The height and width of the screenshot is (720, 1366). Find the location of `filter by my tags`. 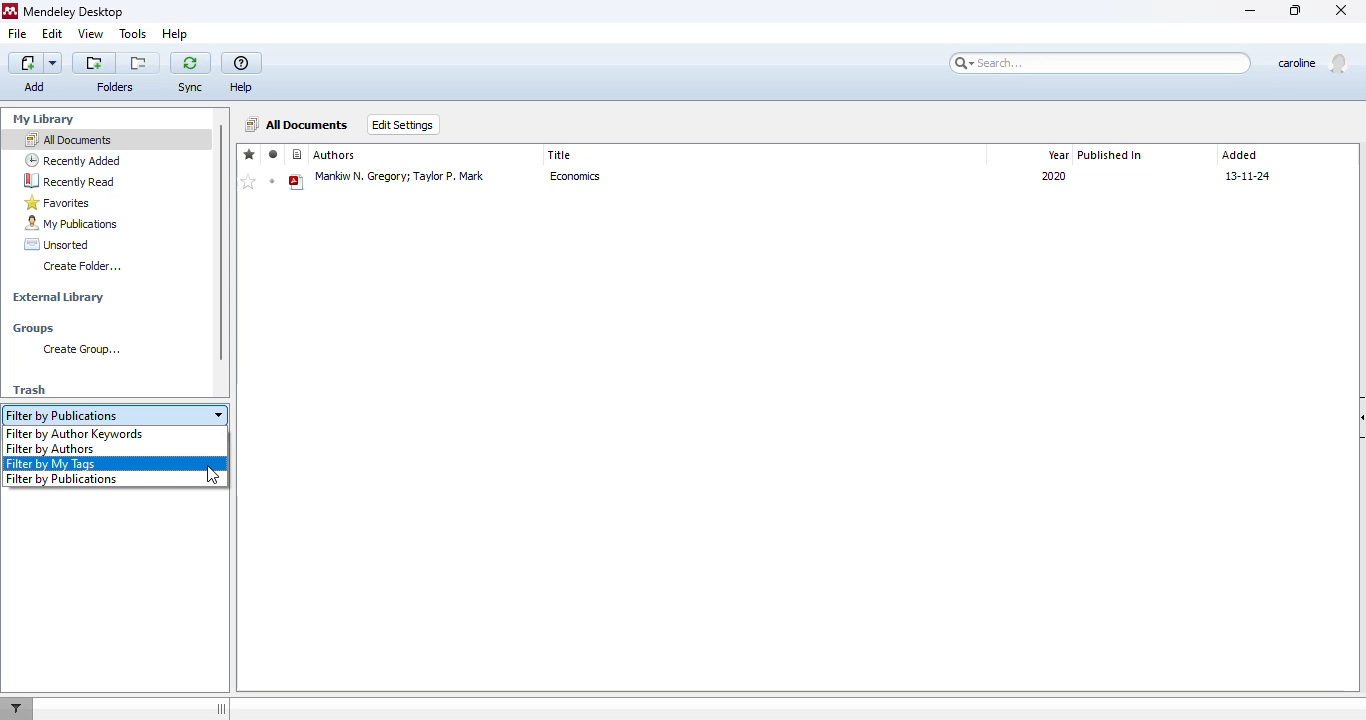

filter by my tags is located at coordinates (51, 464).